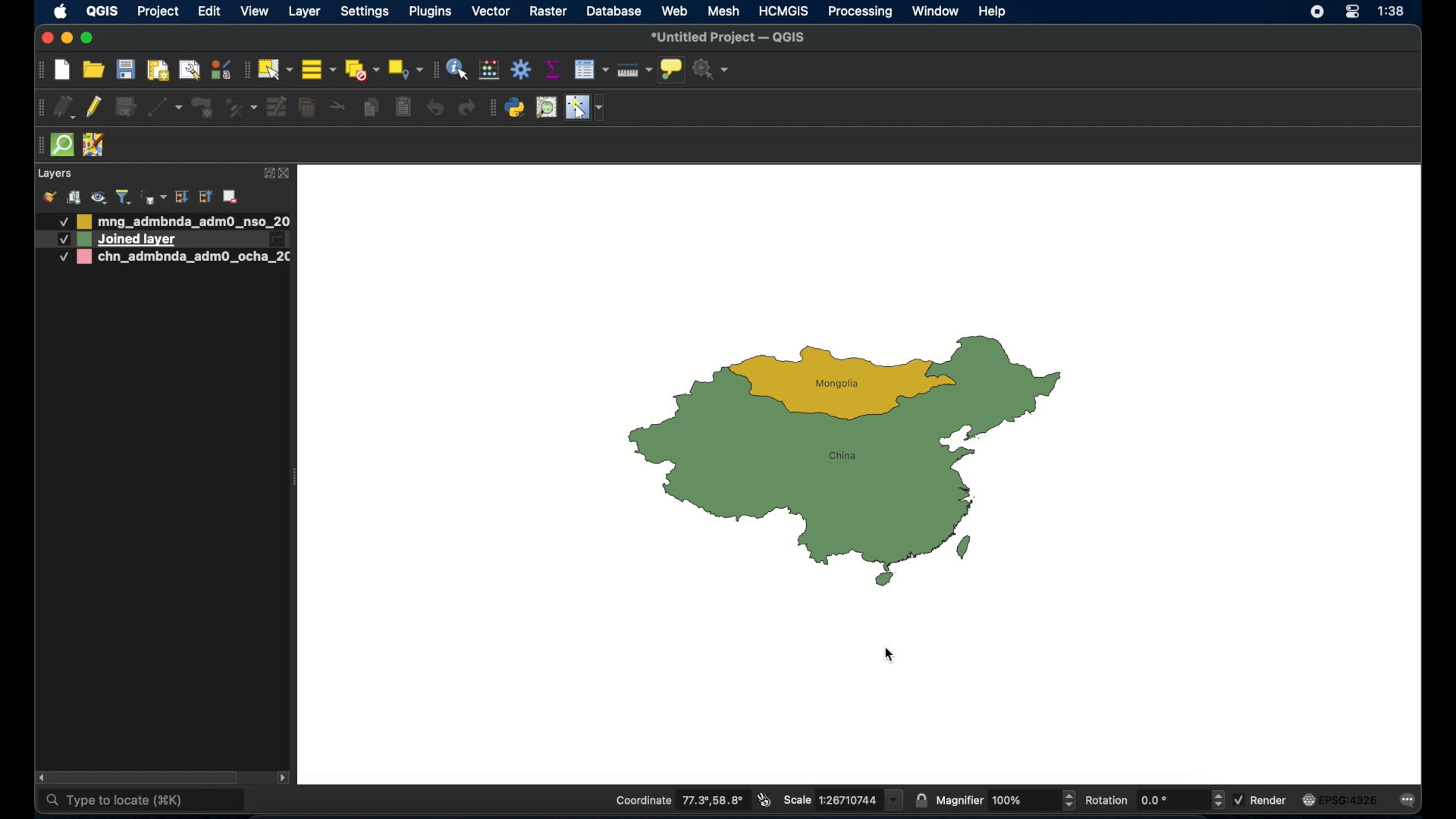  What do you see at coordinates (360, 70) in the screenshot?
I see `deselect all features` at bounding box center [360, 70].